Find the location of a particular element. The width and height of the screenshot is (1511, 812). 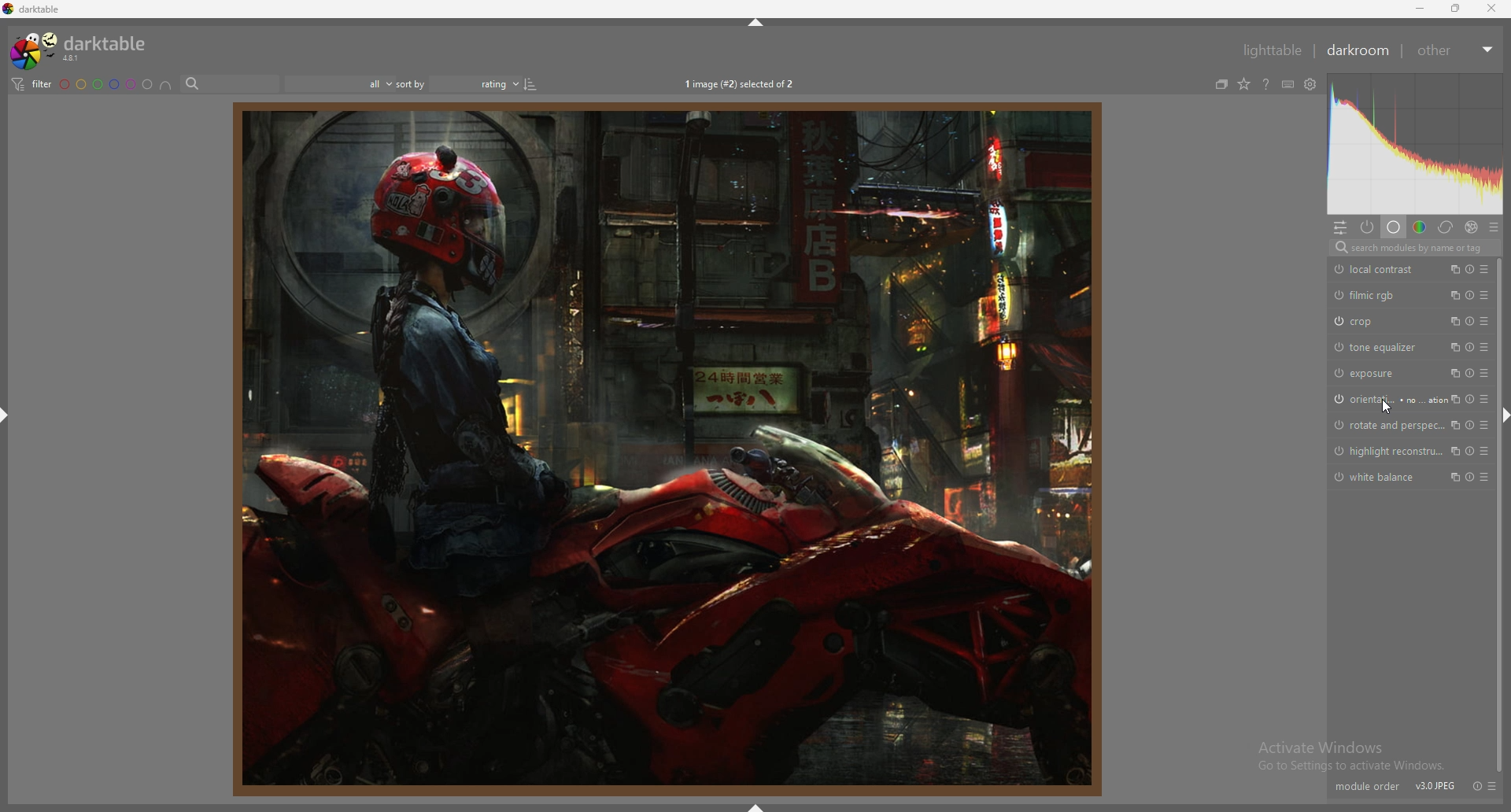

presets is located at coordinates (1491, 786).